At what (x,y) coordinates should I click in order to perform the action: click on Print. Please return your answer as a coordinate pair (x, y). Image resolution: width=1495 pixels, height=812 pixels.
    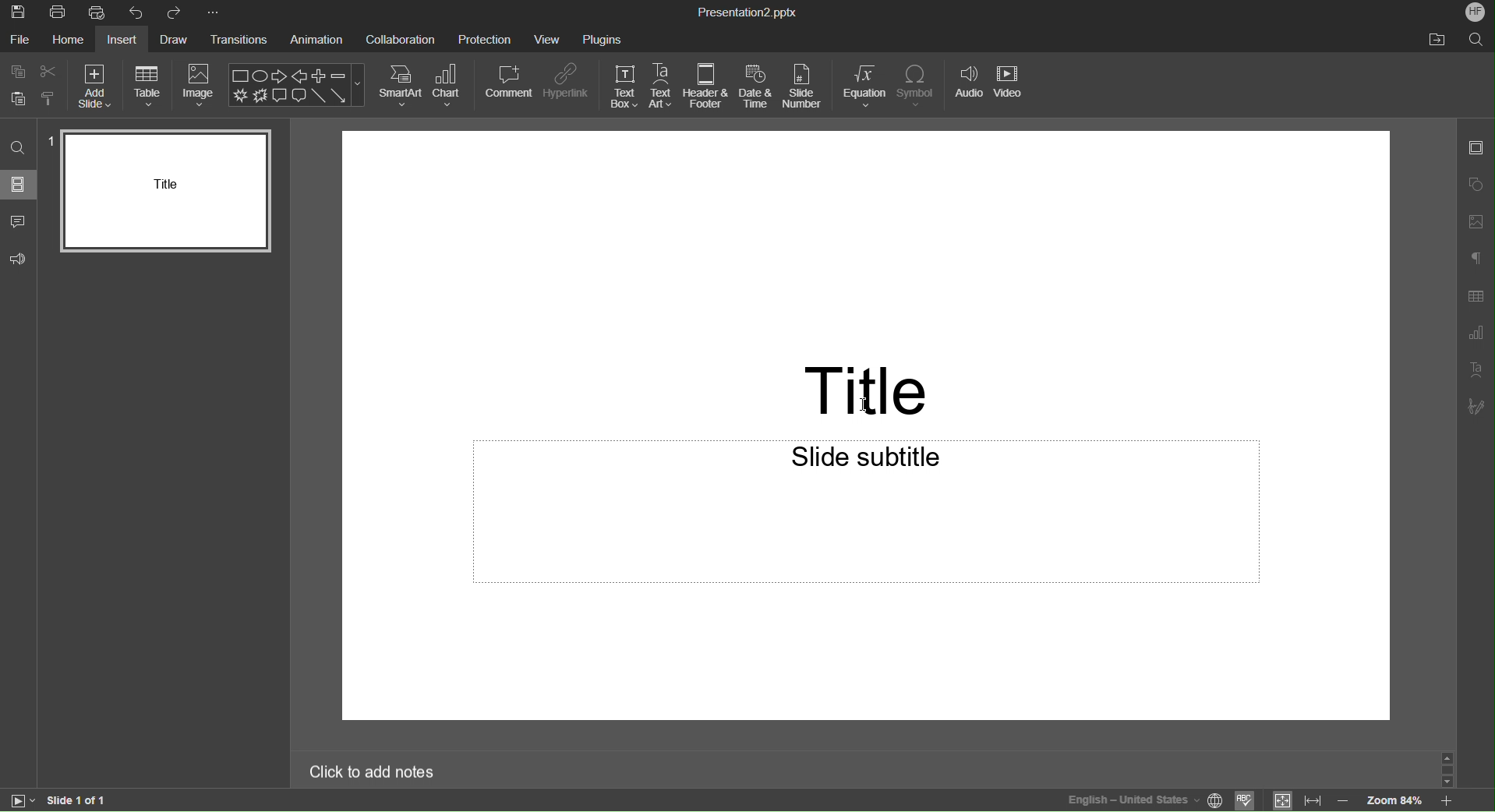
    Looking at the image, I should click on (61, 12).